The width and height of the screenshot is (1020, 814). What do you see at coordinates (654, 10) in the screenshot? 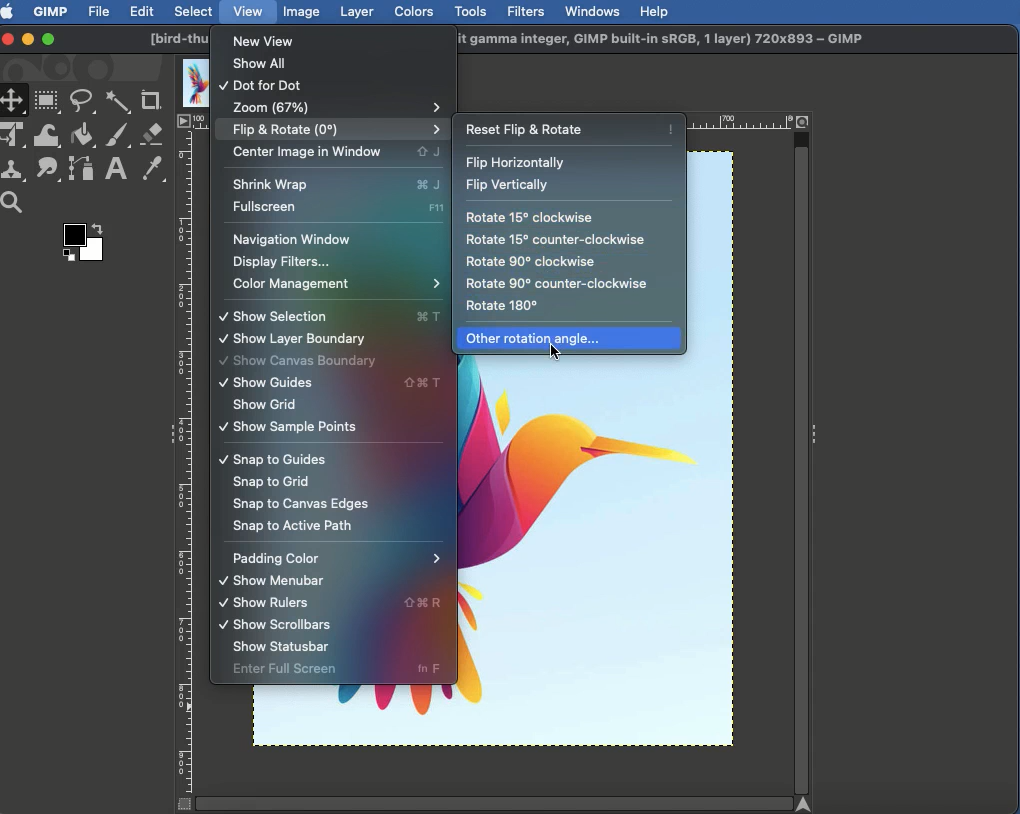
I see `Help` at bounding box center [654, 10].